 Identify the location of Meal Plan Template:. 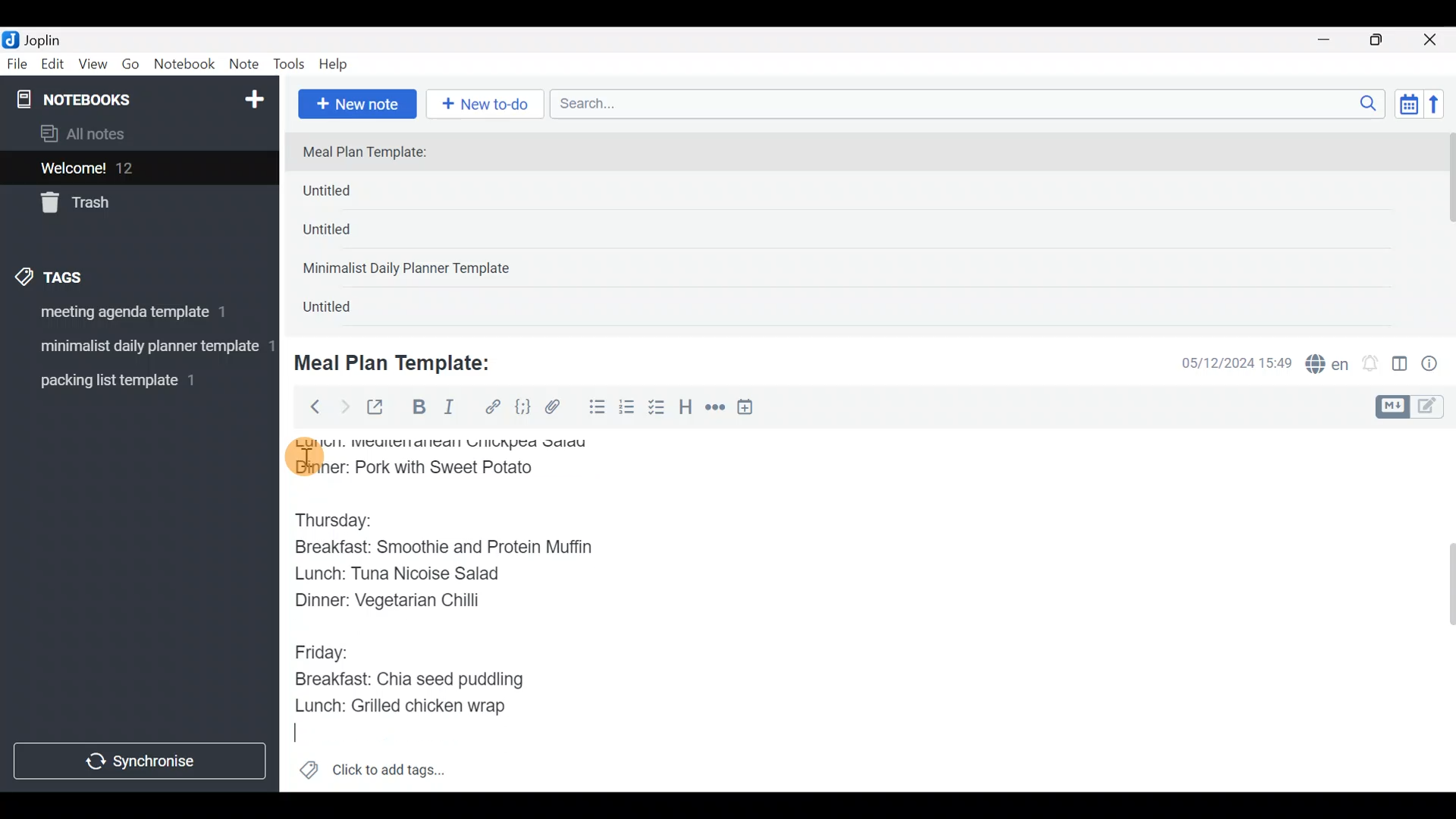
(374, 153).